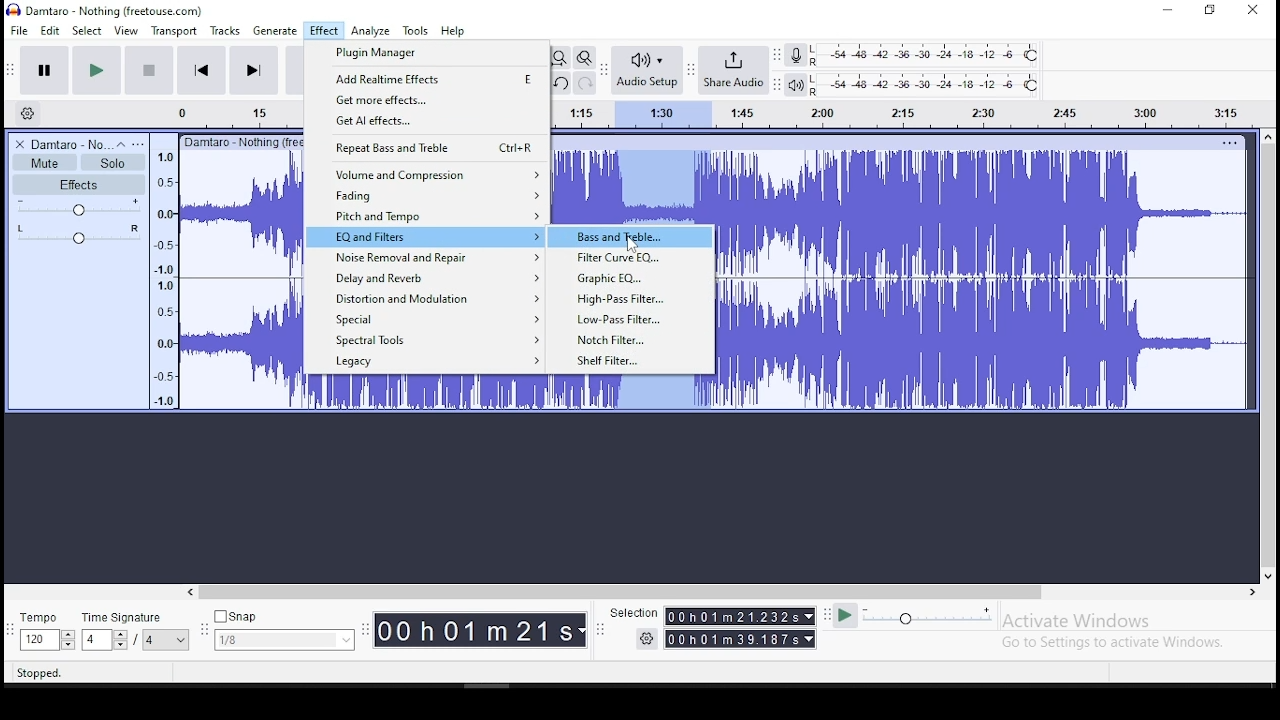 The height and width of the screenshot is (720, 1280). Describe the element at coordinates (428, 363) in the screenshot. I see `legacy` at that location.